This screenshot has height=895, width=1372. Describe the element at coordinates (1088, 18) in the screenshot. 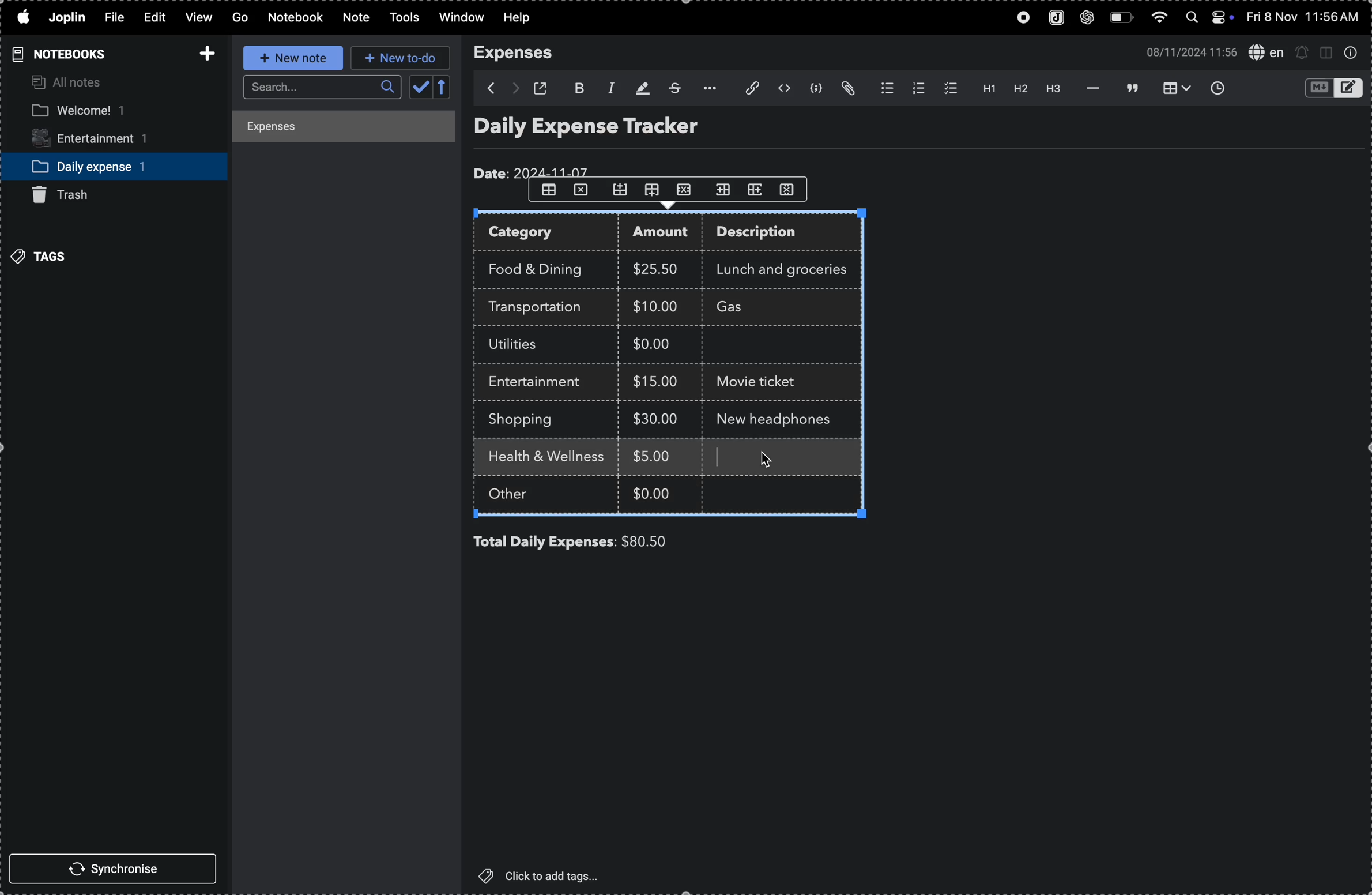

I see `chatgpt` at that location.